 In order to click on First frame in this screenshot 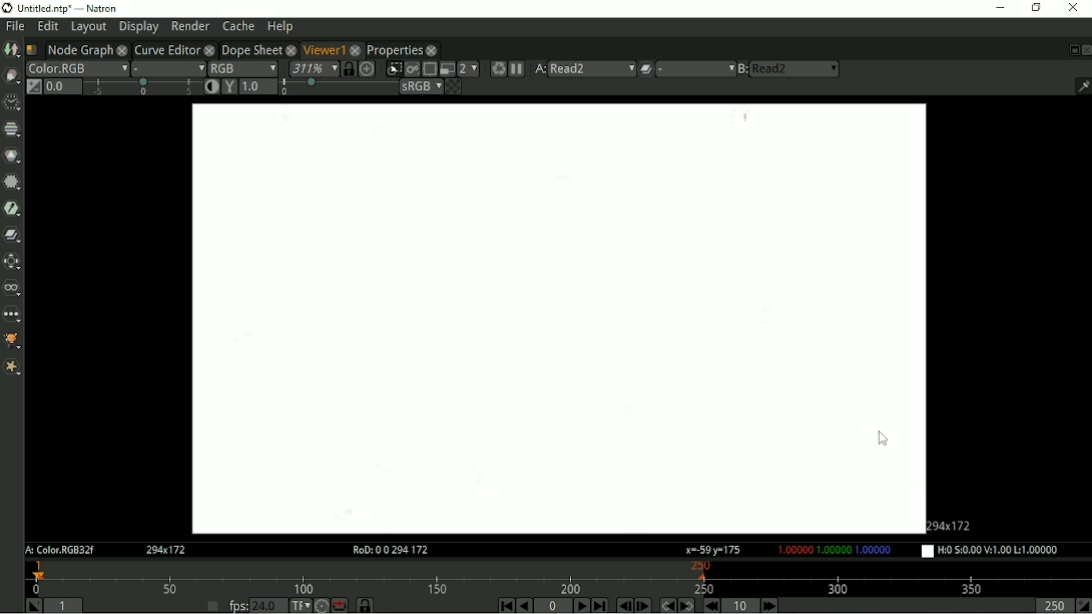, I will do `click(505, 605)`.